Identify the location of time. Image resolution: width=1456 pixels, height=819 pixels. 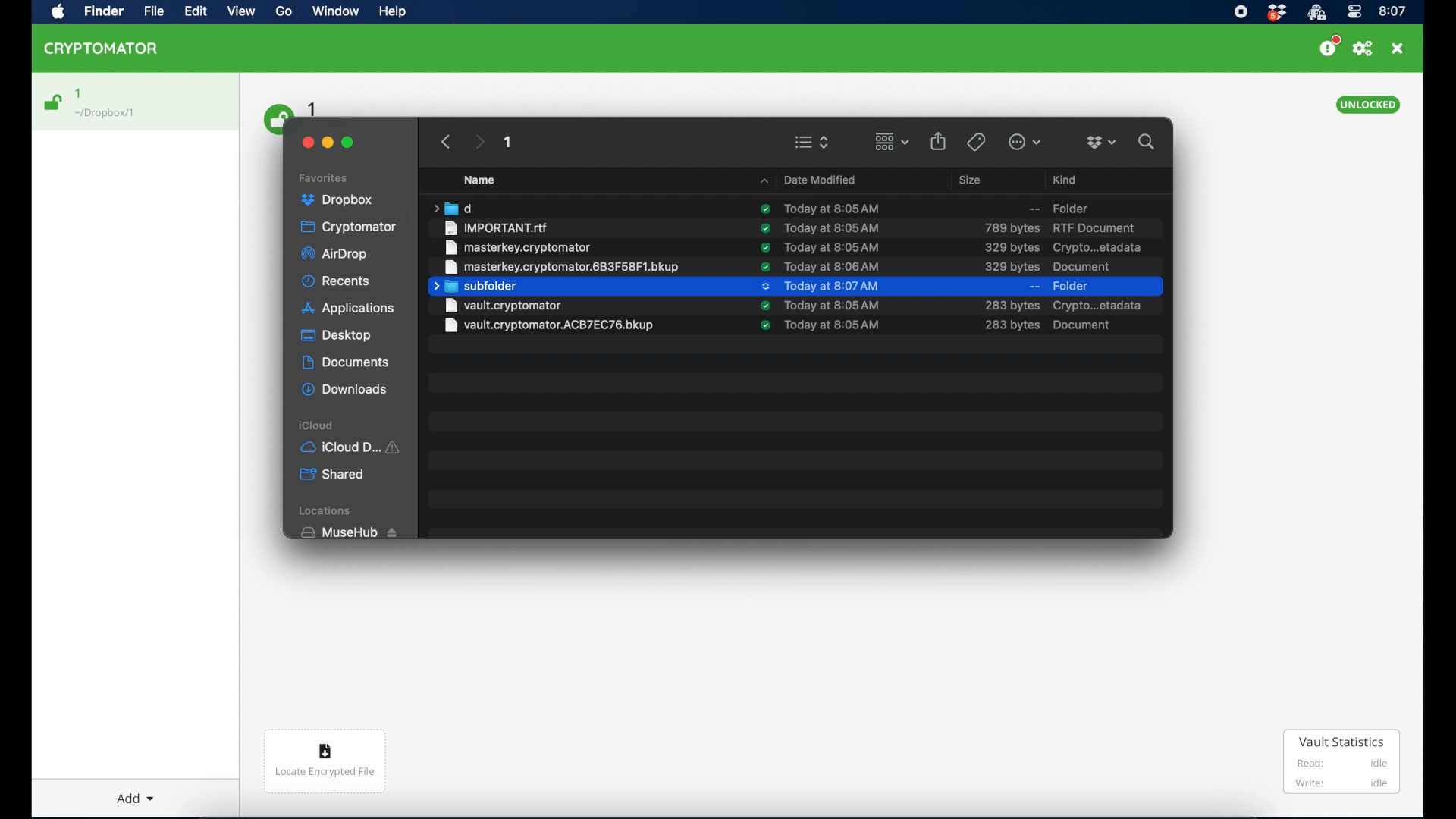
(1393, 11).